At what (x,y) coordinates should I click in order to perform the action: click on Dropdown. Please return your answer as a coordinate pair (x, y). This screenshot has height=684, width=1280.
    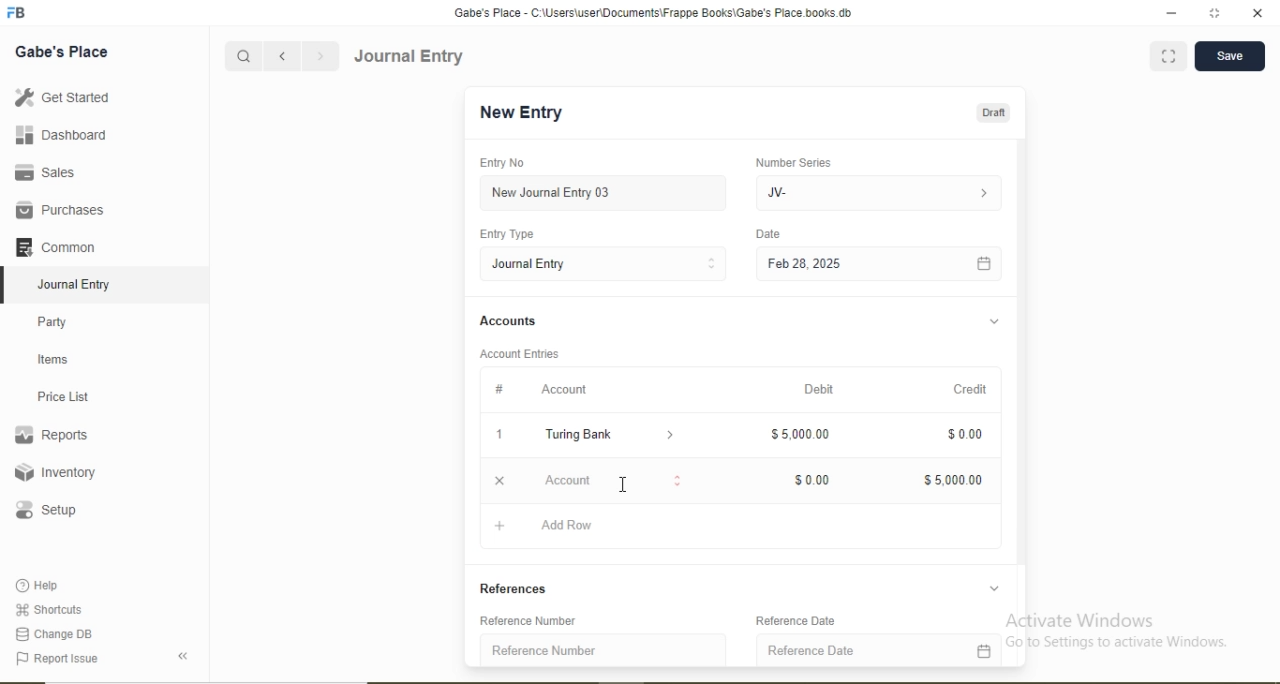
    Looking at the image, I should click on (994, 588).